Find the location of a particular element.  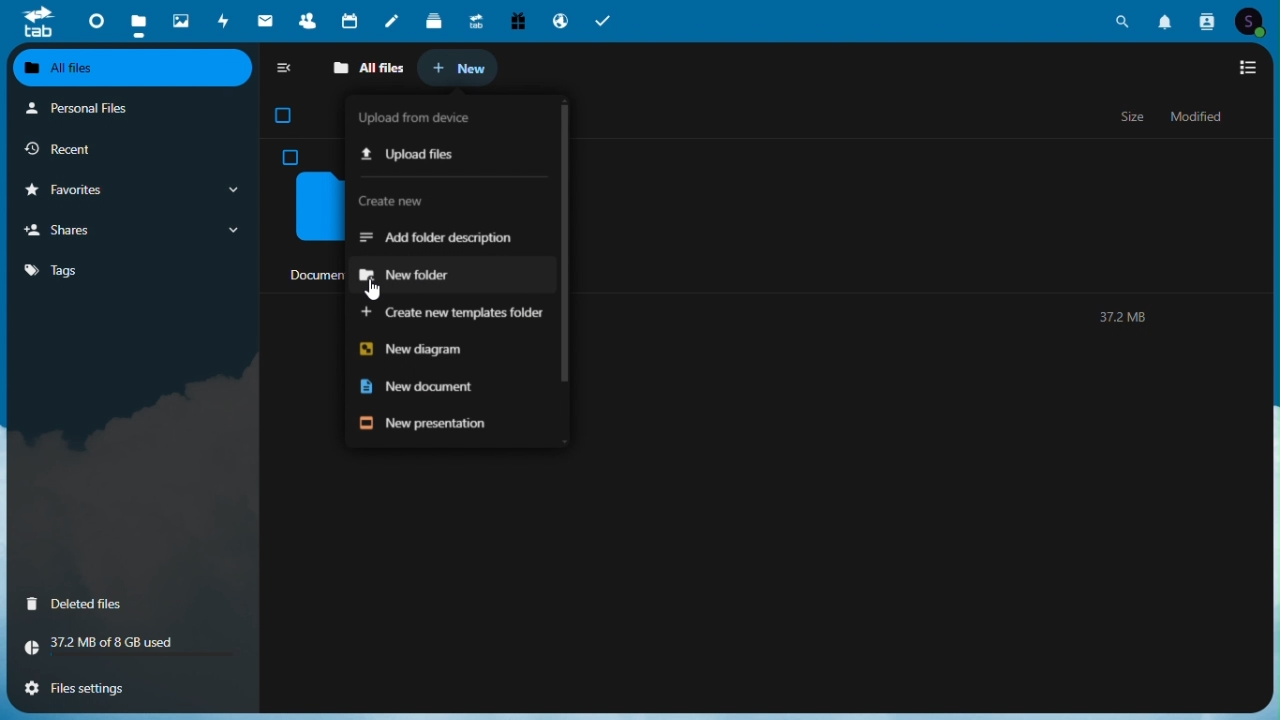

Personal files is located at coordinates (129, 108).